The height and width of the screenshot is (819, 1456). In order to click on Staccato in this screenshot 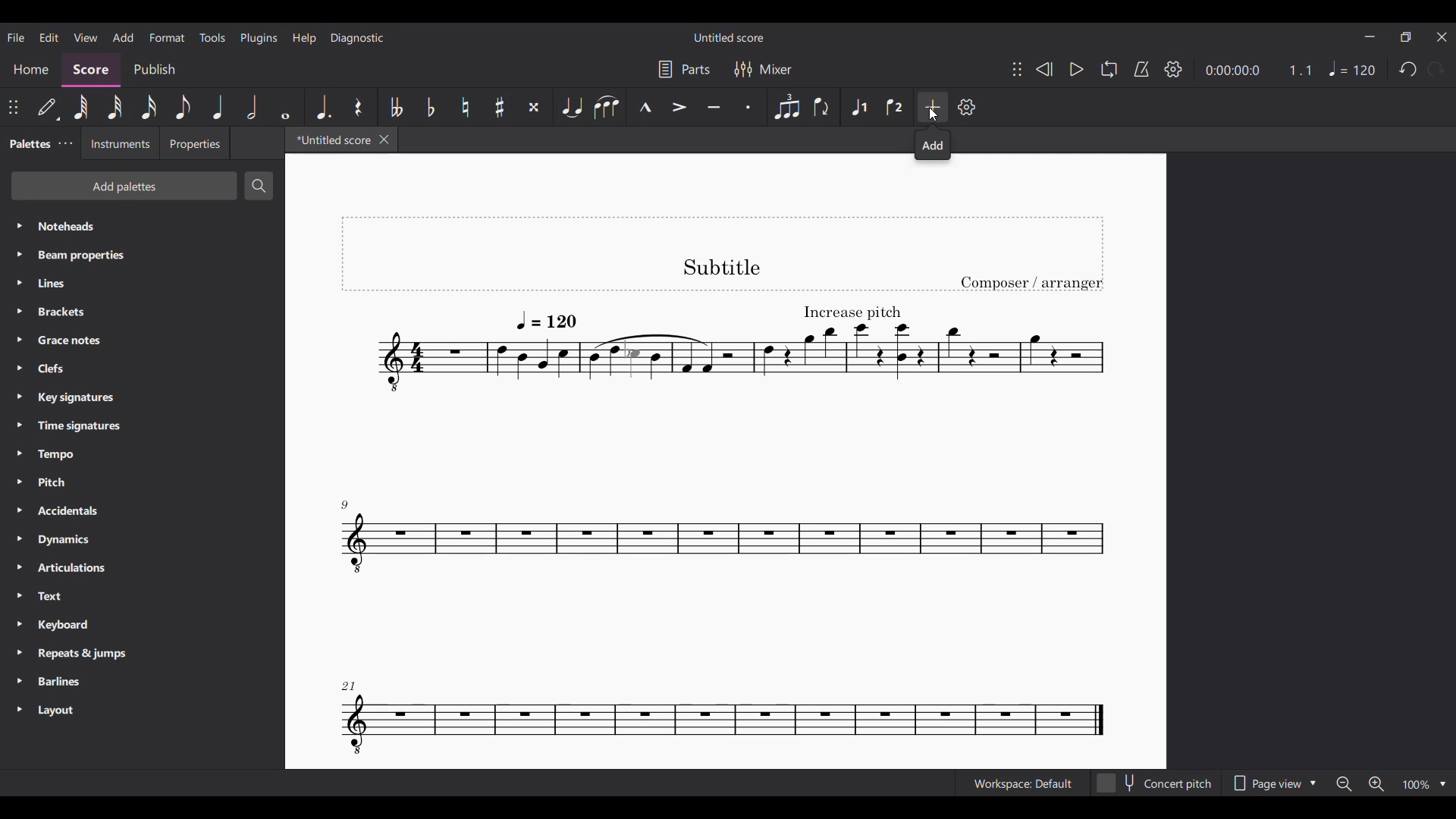, I will do `click(751, 107)`.